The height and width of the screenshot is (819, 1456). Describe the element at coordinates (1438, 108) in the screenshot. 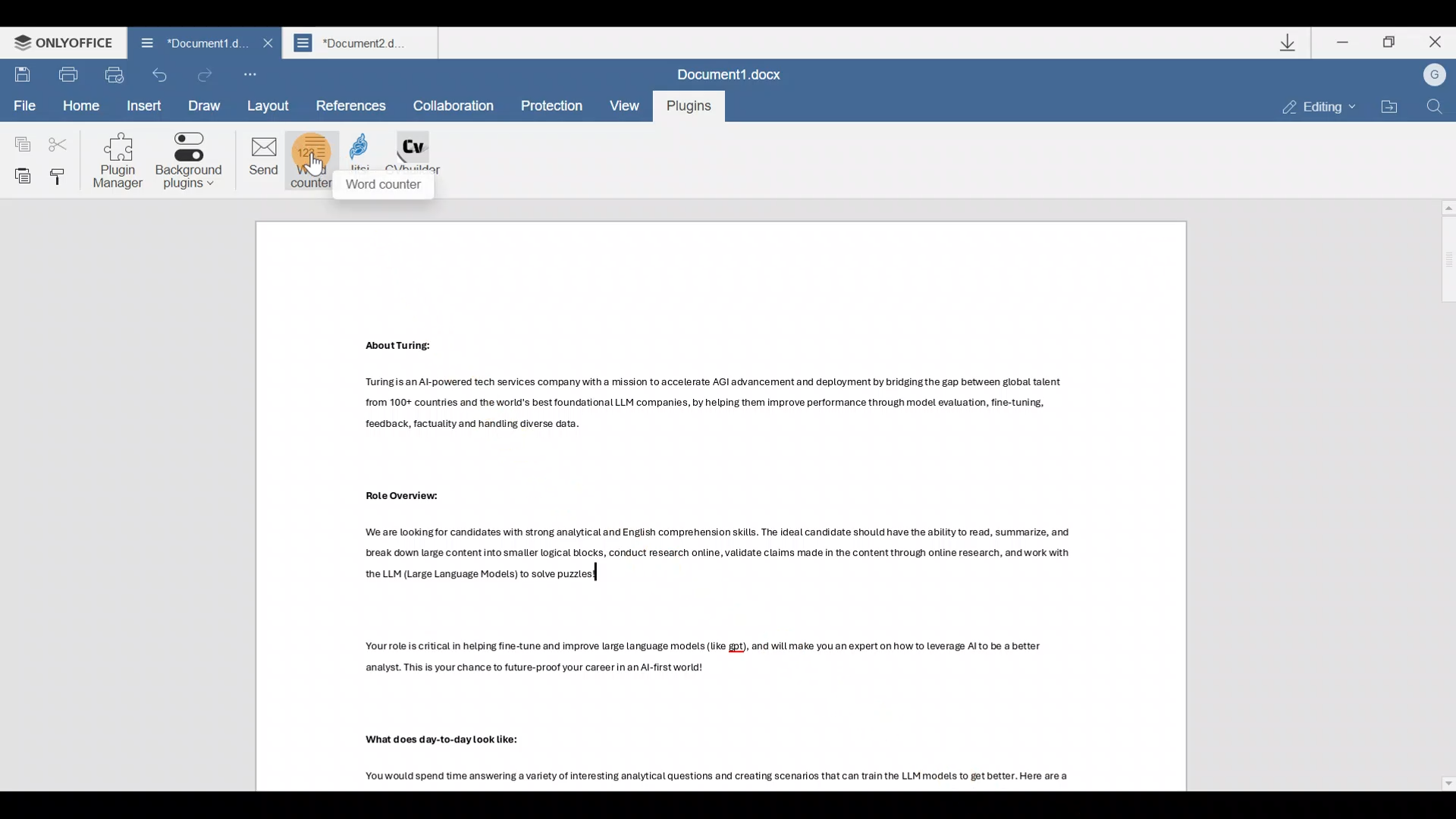

I see `Find` at that location.